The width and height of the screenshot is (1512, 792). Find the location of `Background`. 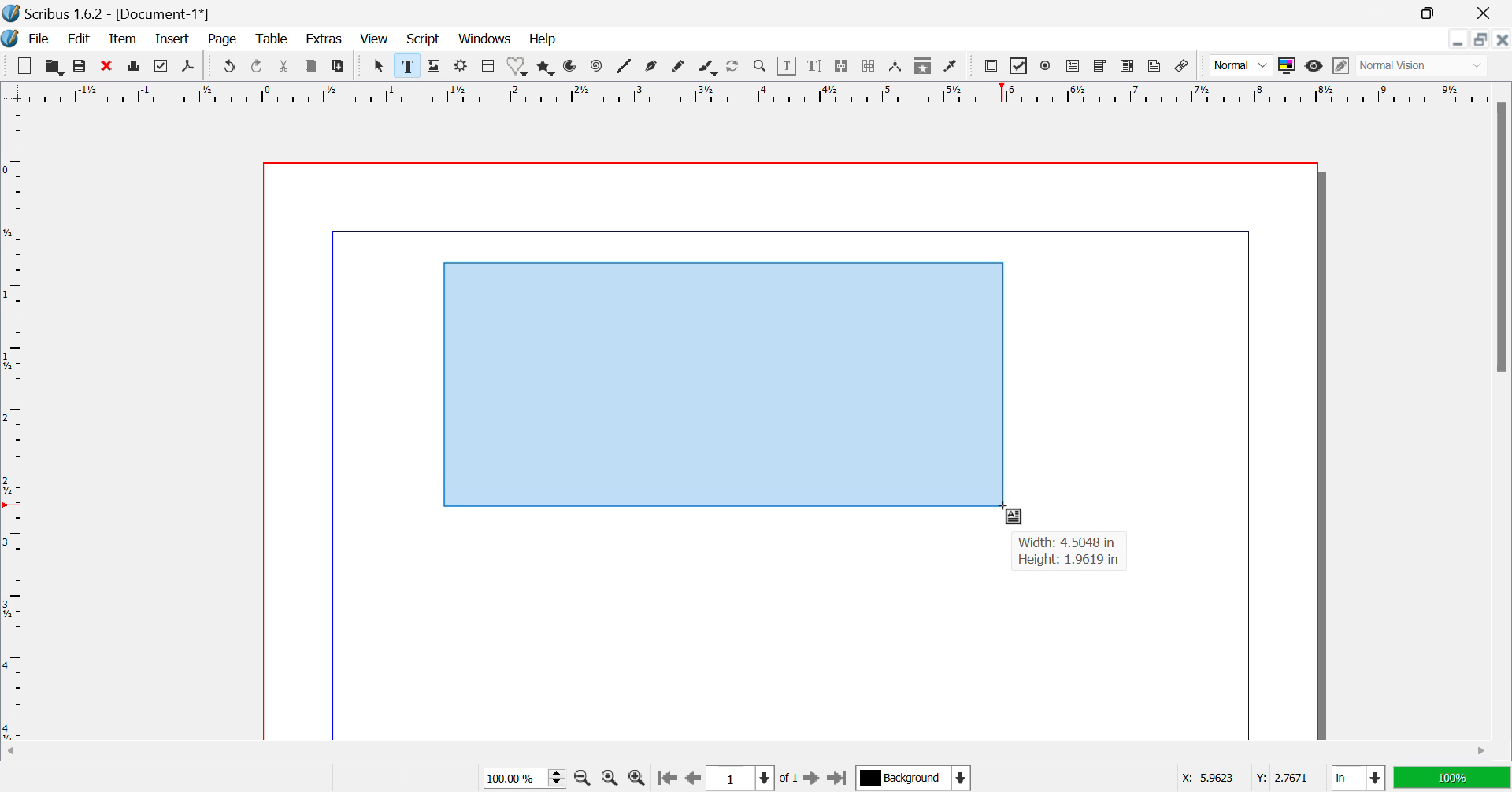

Background is located at coordinates (912, 777).